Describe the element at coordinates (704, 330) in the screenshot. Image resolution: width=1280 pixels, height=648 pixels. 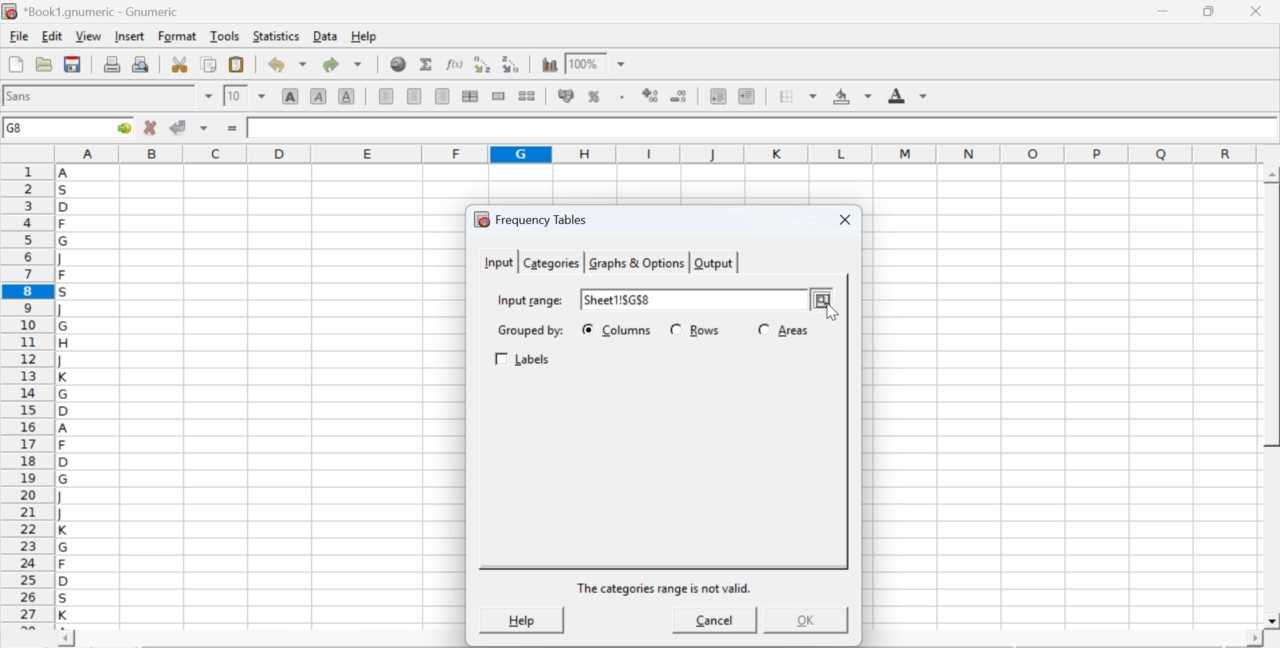
I see `rows` at that location.